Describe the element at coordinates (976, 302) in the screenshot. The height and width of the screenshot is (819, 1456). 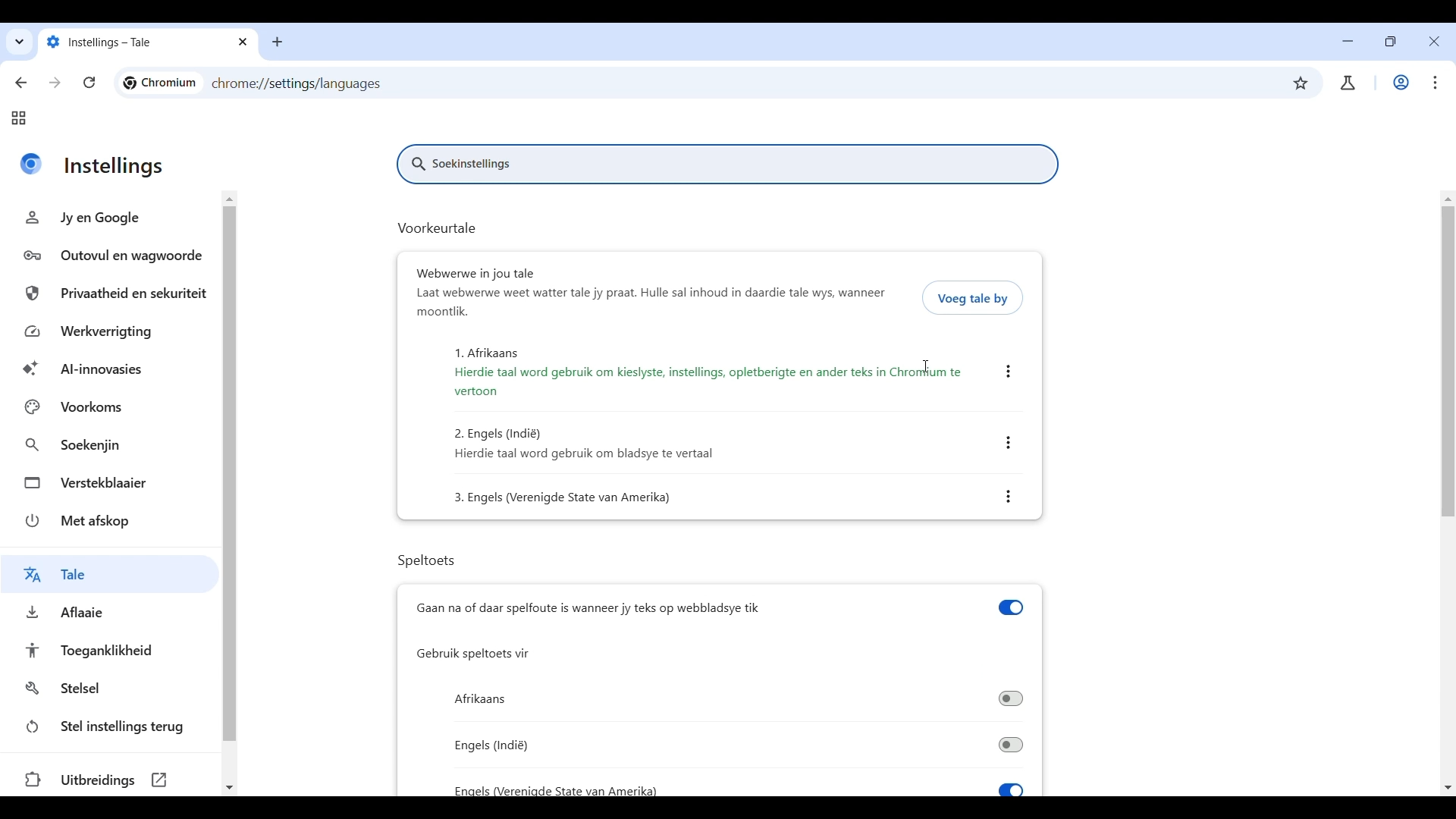
I see `Voeg tale by` at that location.